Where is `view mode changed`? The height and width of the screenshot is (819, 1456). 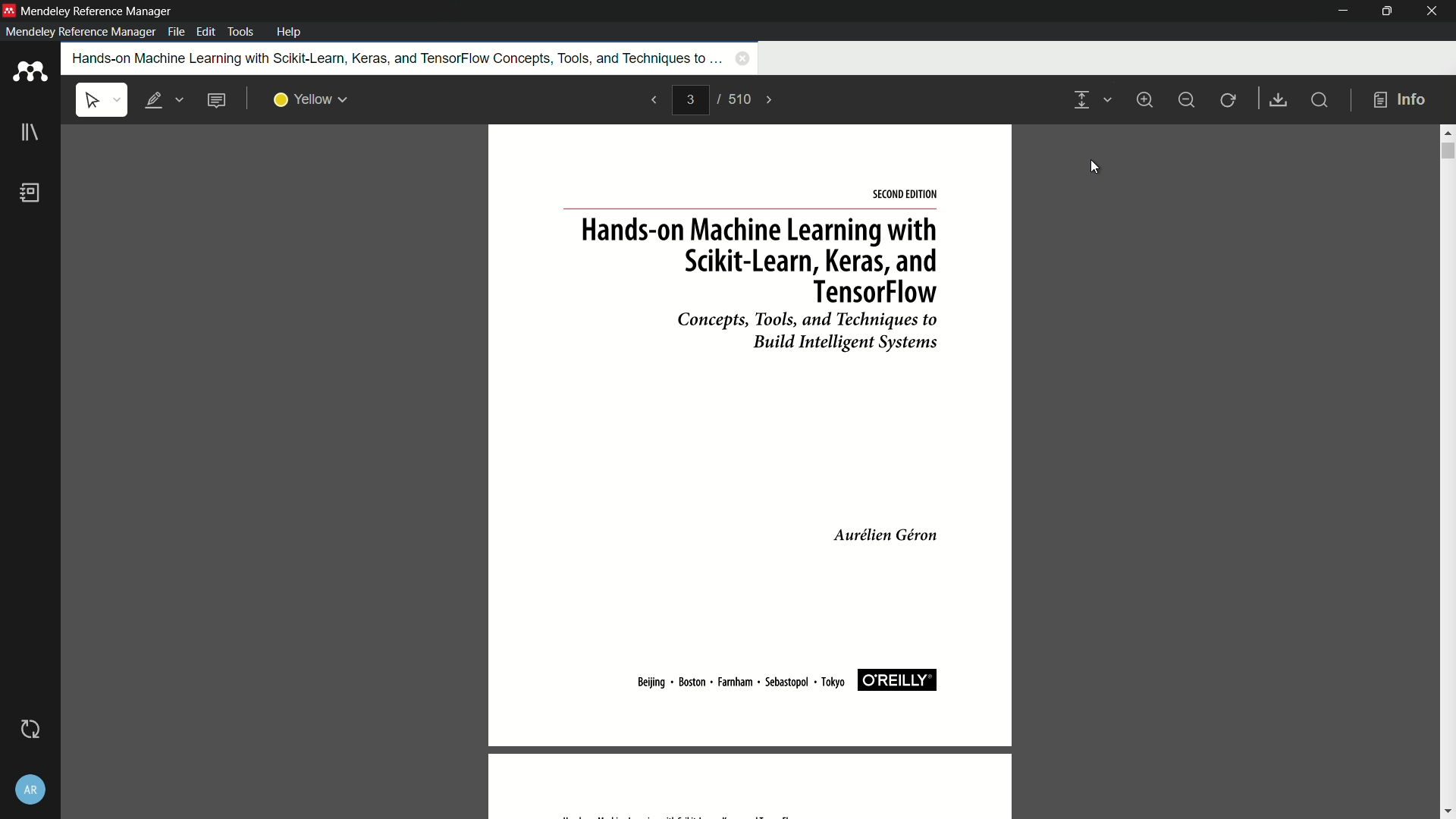 view mode changed is located at coordinates (752, 471).